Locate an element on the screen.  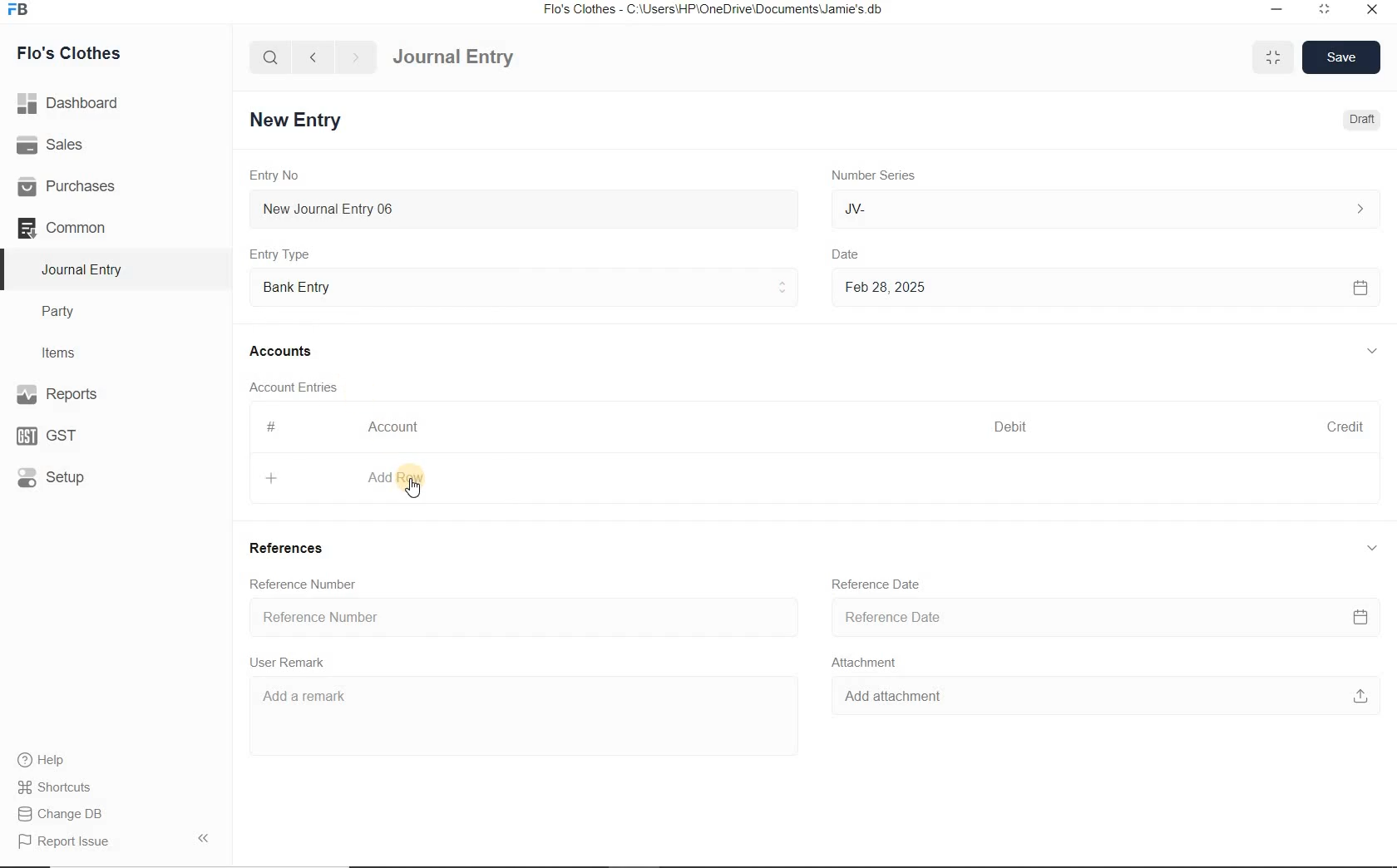
Collpase is located at coordinates (203, 837).